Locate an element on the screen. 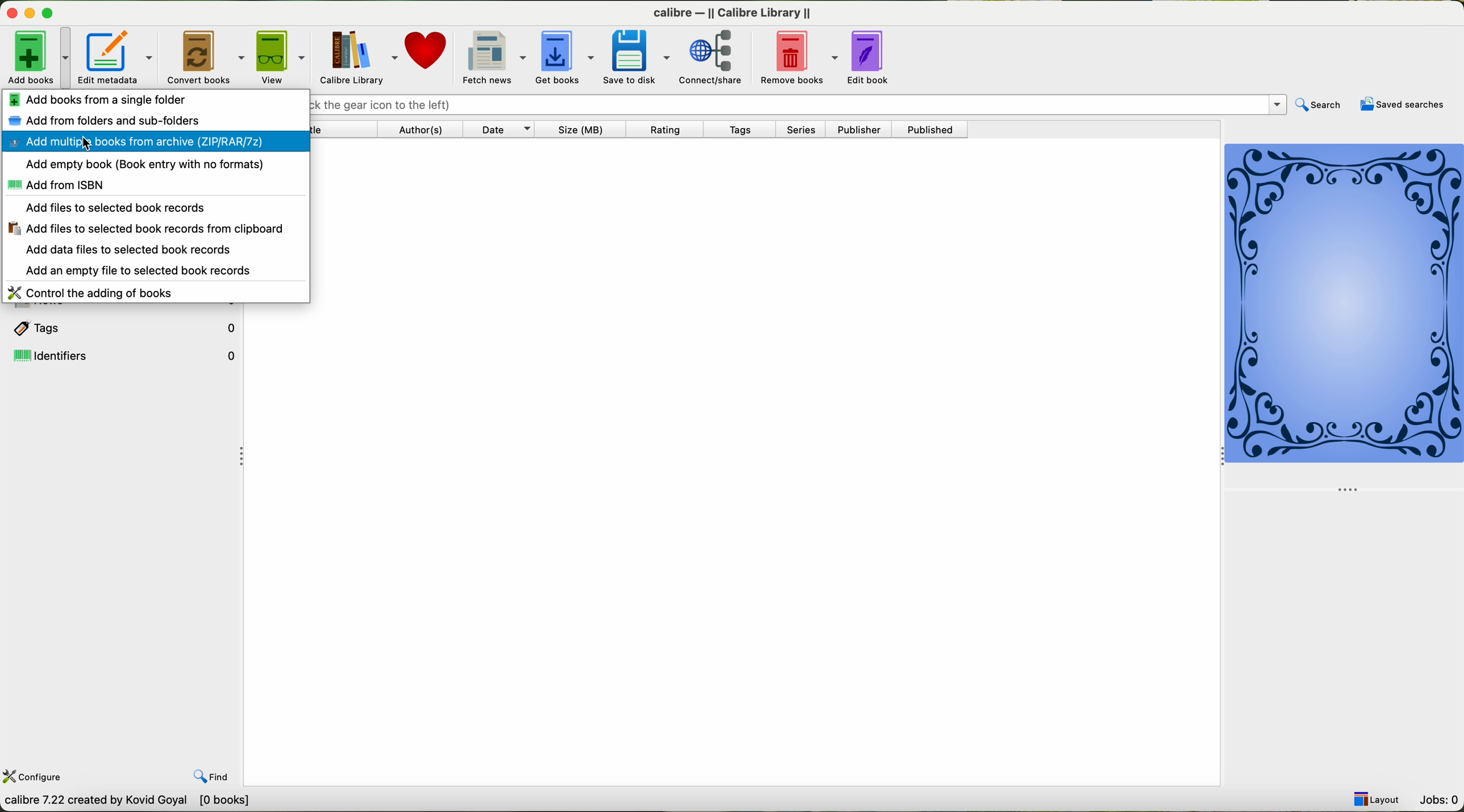 The height and width of the screenshot is (812, 1464). calibre -callibre library is located at coordinates (728, 11).